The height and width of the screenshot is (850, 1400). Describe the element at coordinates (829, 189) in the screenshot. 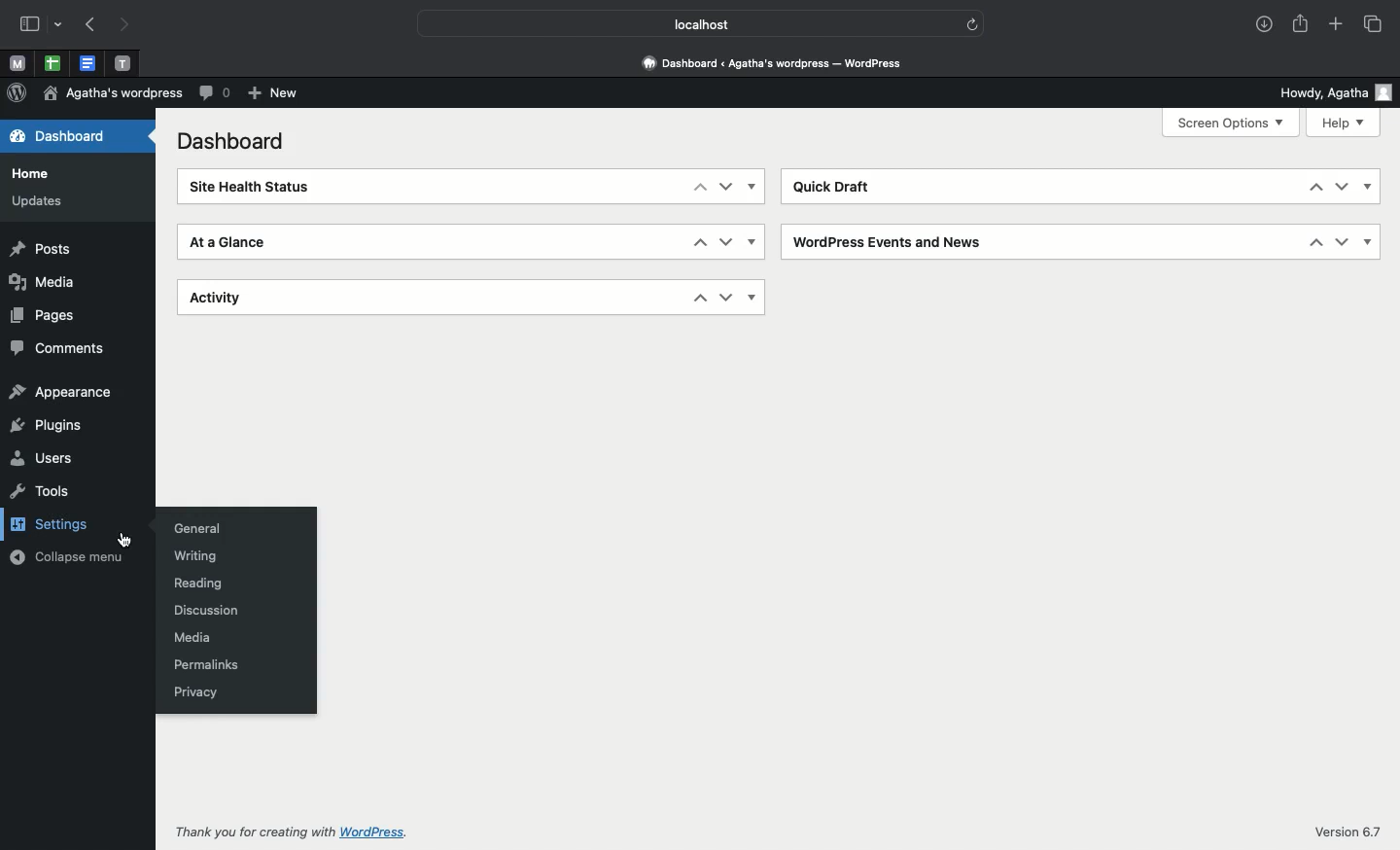

I see `Quick draft` at that location.